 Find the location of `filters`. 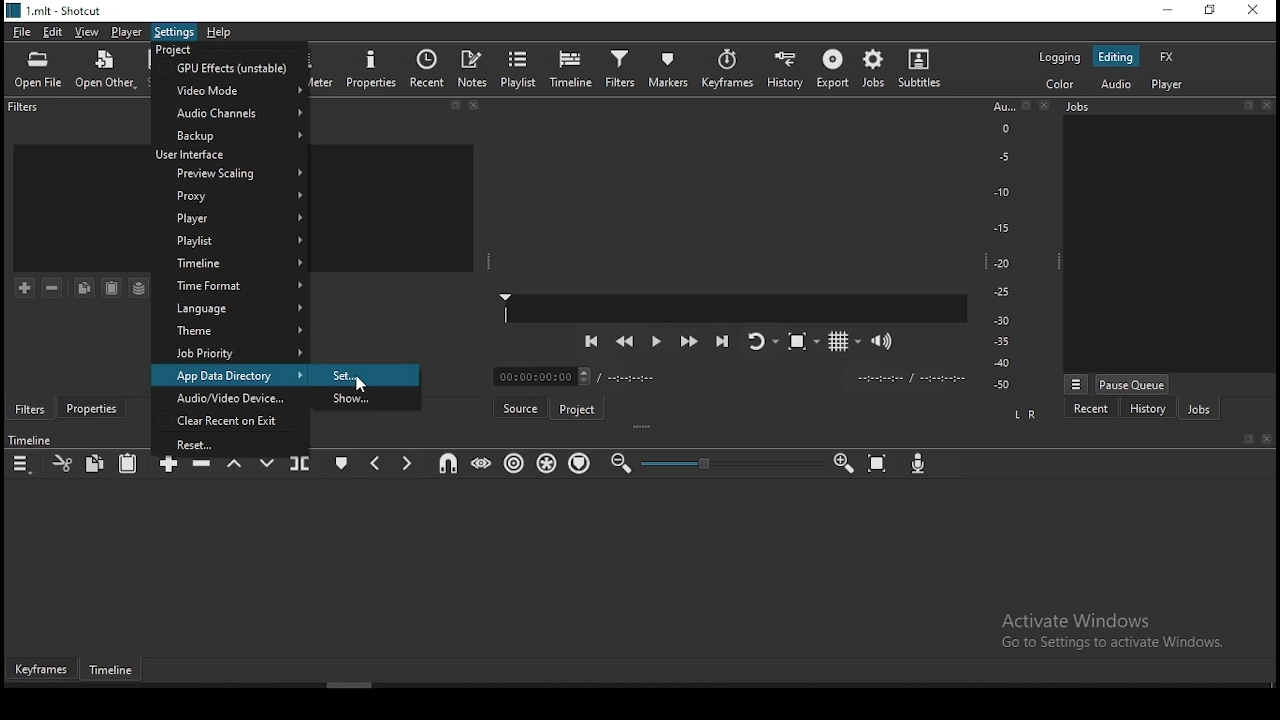

filters is located at coordinates (29, 408).